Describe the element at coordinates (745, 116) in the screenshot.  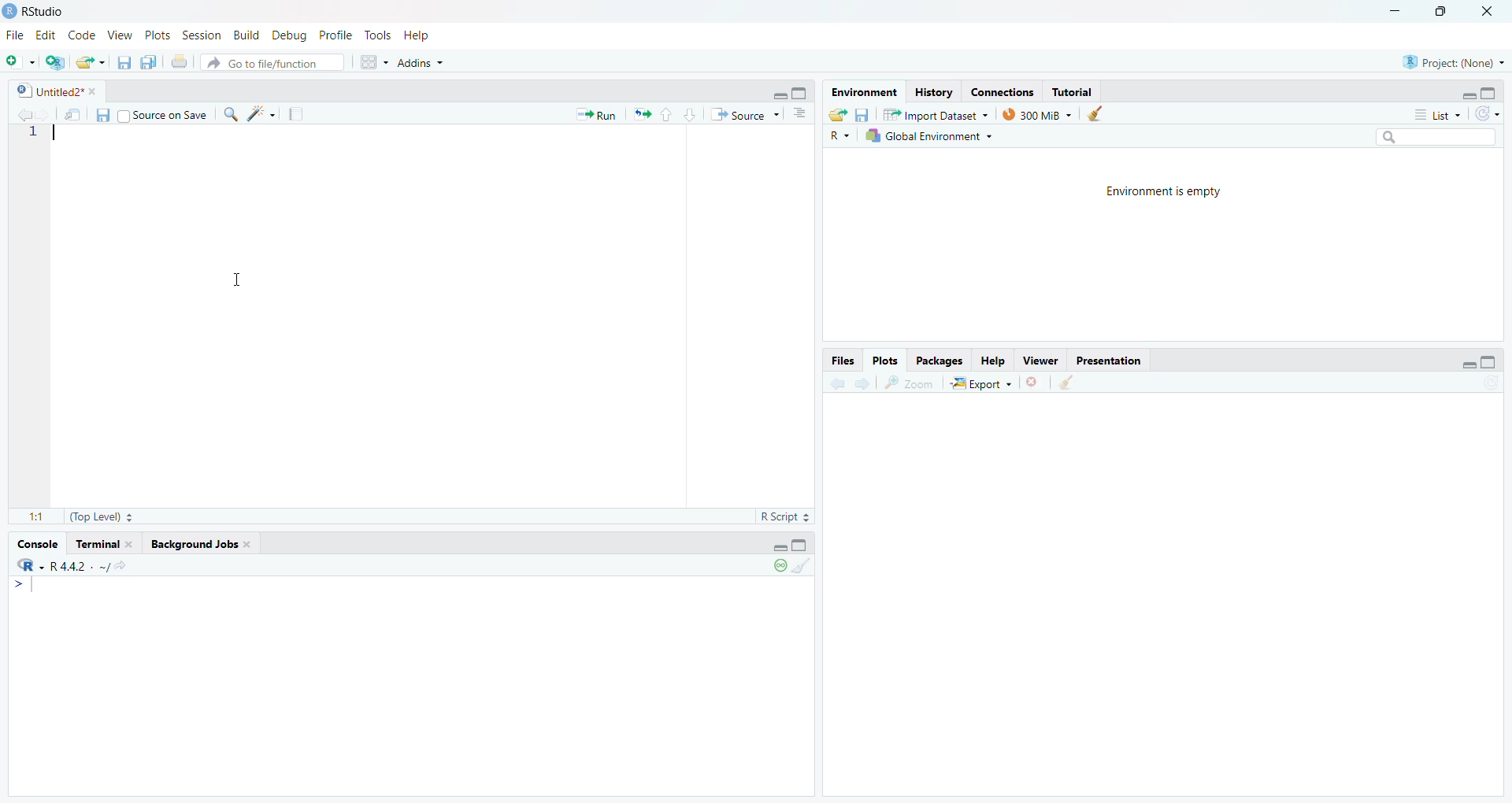
I see `Source ` at that location.